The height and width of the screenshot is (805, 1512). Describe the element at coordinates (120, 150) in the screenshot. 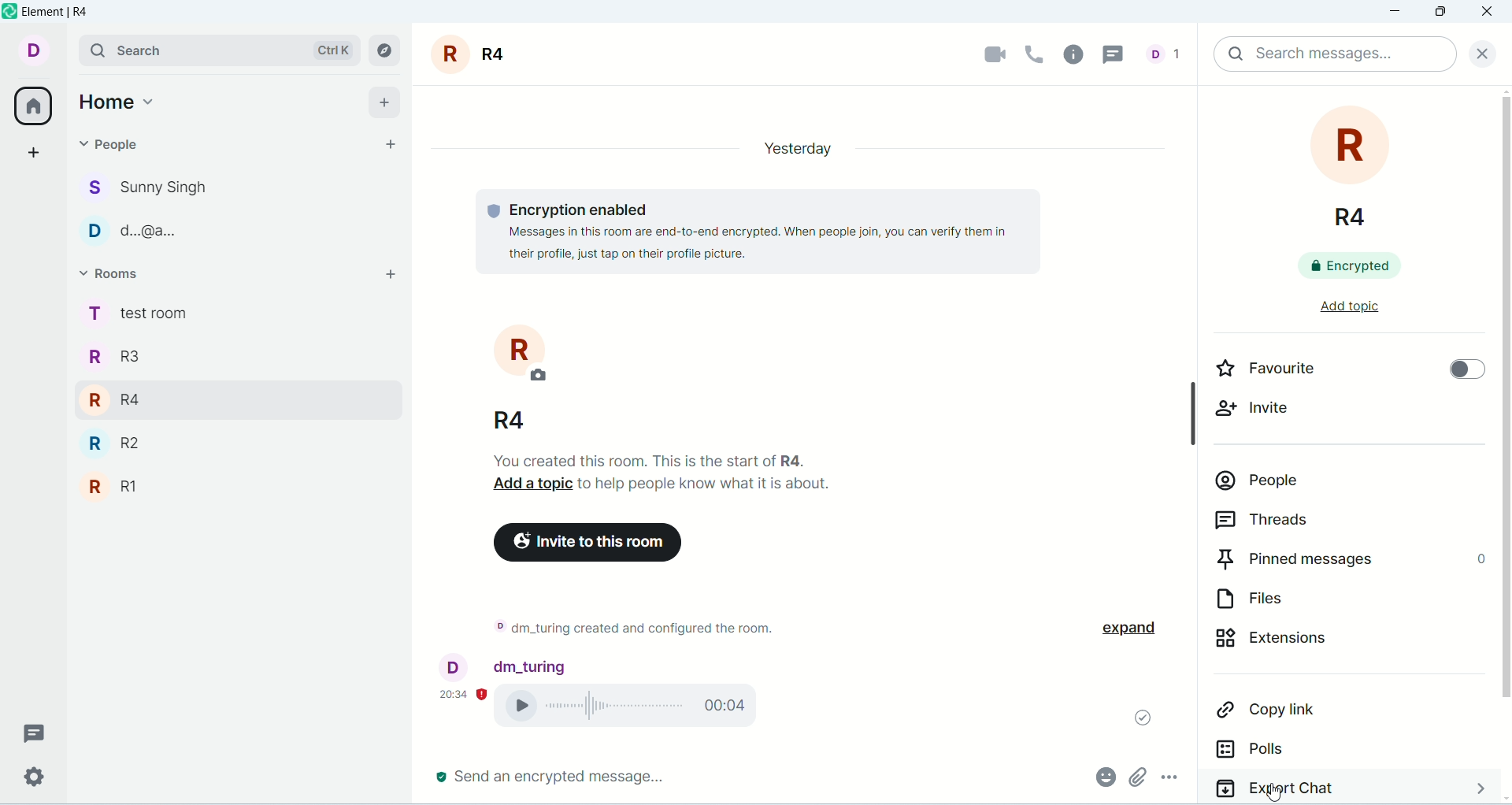

I see `people` at that location.